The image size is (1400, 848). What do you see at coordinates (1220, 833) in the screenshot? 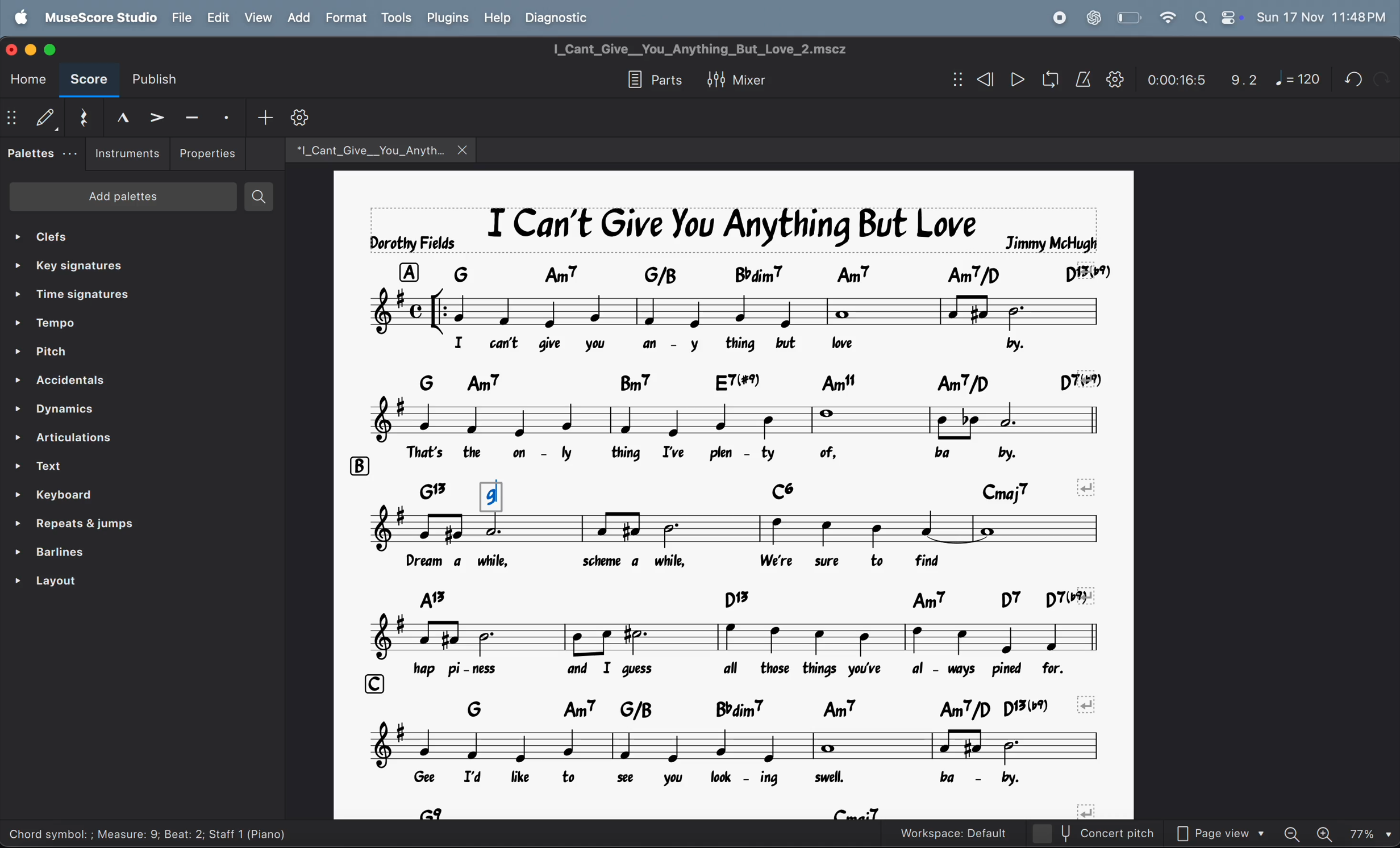
I see `page view` at bounding box center [1220, 833].